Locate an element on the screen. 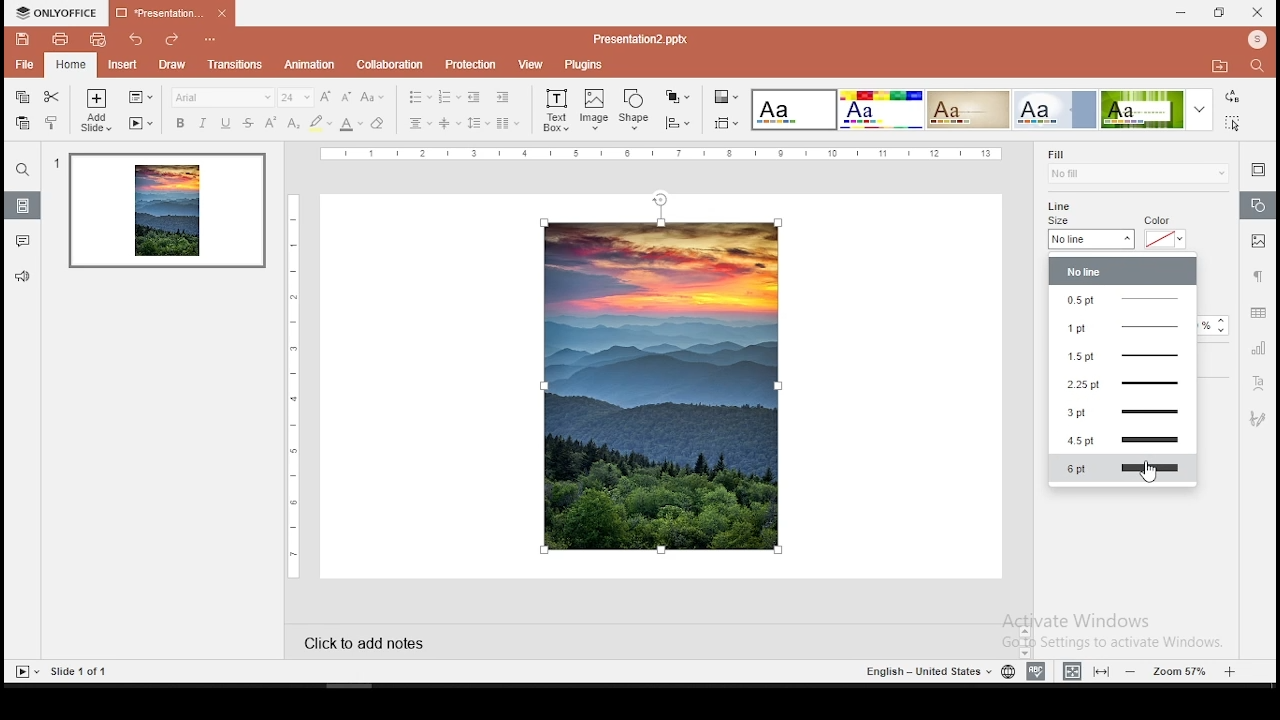 This screenshot has height=720, width=1280. paragraph settings is located at coordinates (1256, 276).